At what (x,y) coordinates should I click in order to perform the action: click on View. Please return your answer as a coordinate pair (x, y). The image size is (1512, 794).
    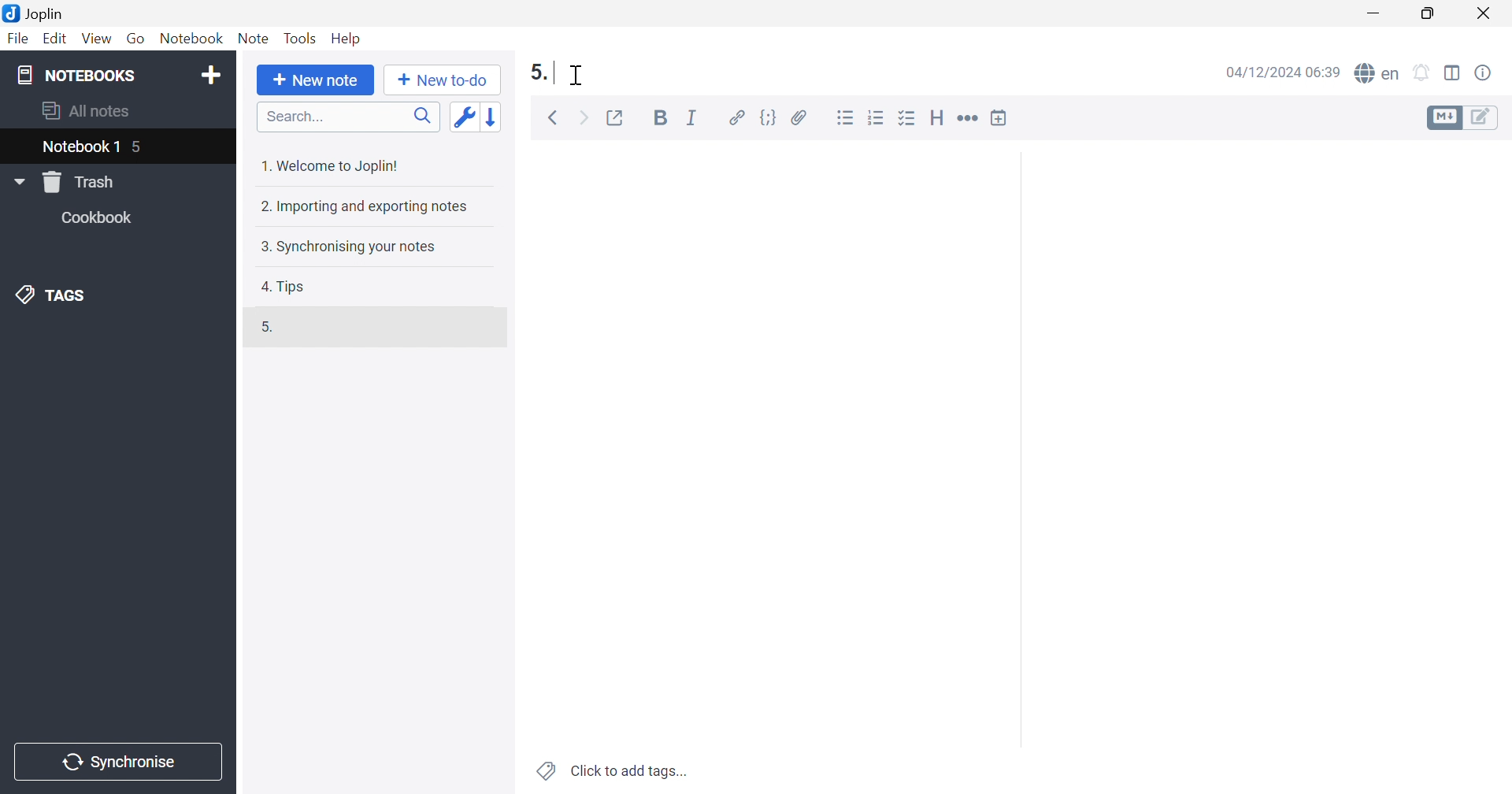
    Looking at the image, I should click on (96, 40).